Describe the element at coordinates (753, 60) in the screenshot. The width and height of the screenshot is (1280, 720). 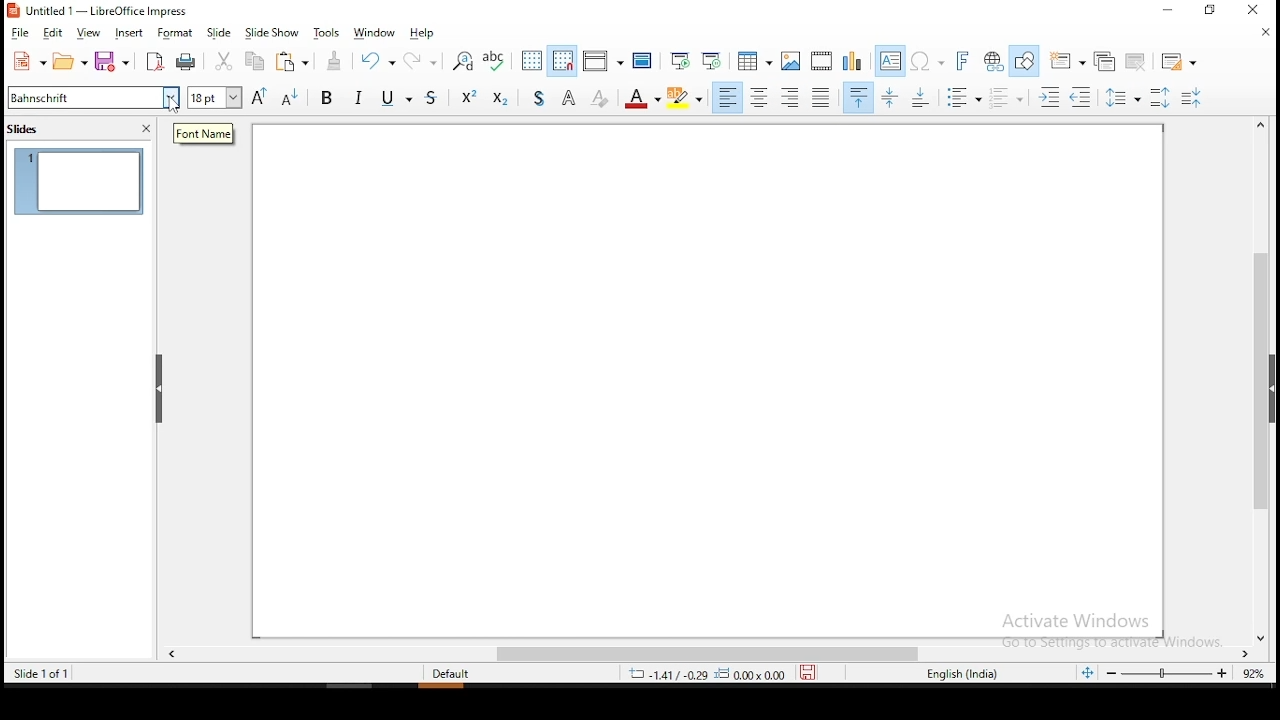
I see `table` at that location.